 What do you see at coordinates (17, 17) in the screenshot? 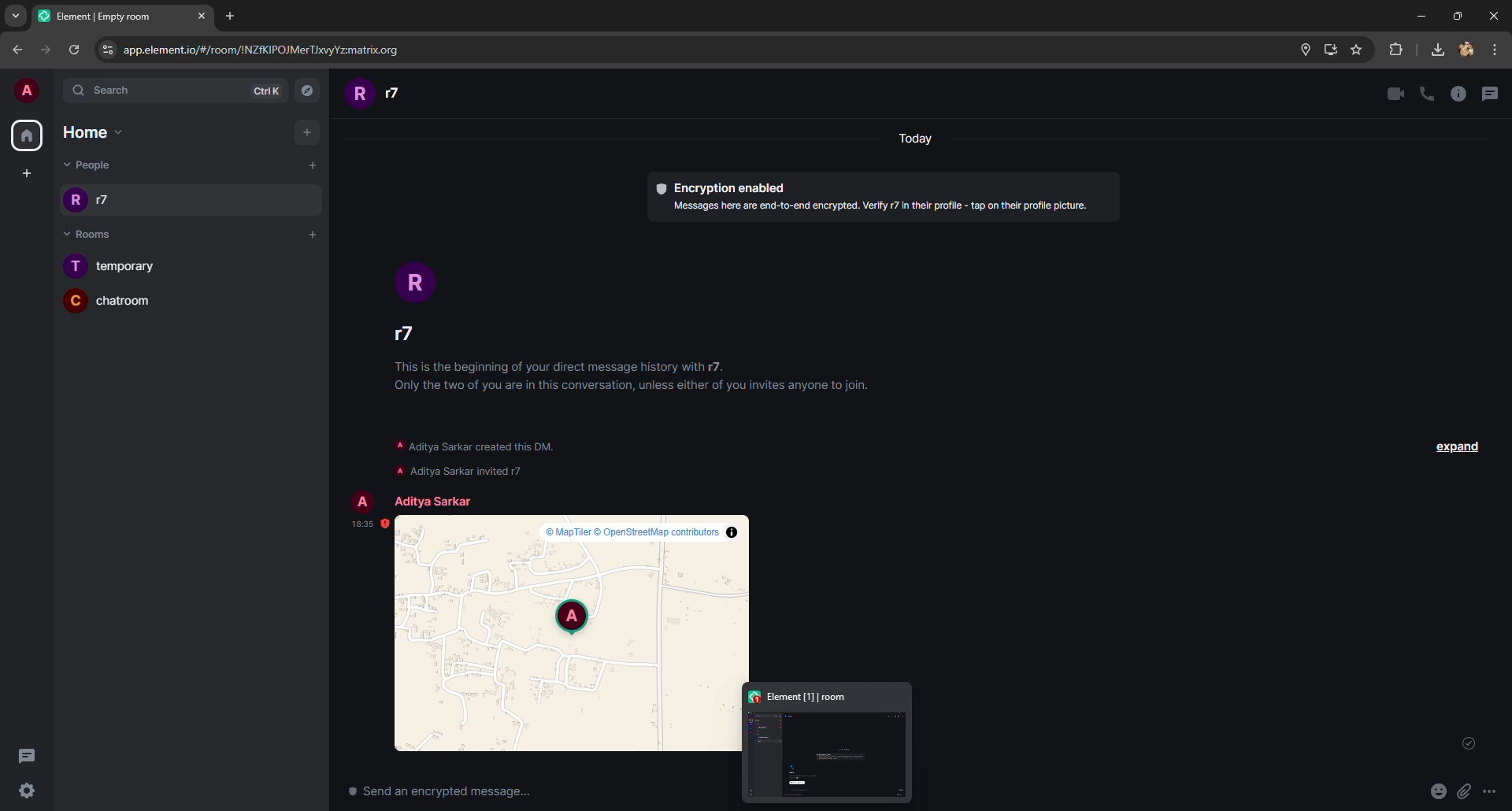
I see `tab list` at bounding box center [17, 17].